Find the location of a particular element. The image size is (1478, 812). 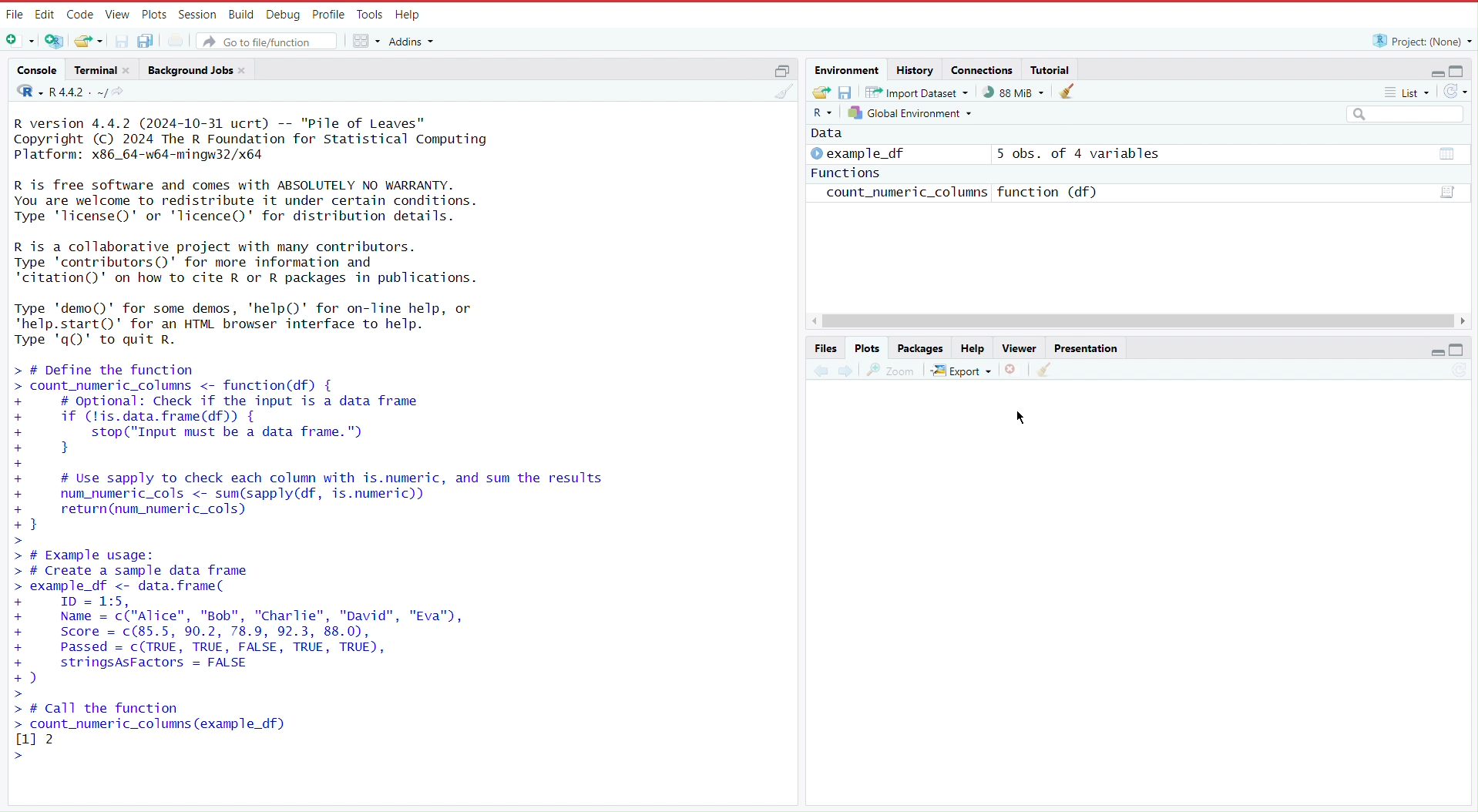

Clear console (Ctrl +L) is located at coordinates (1043, 370).